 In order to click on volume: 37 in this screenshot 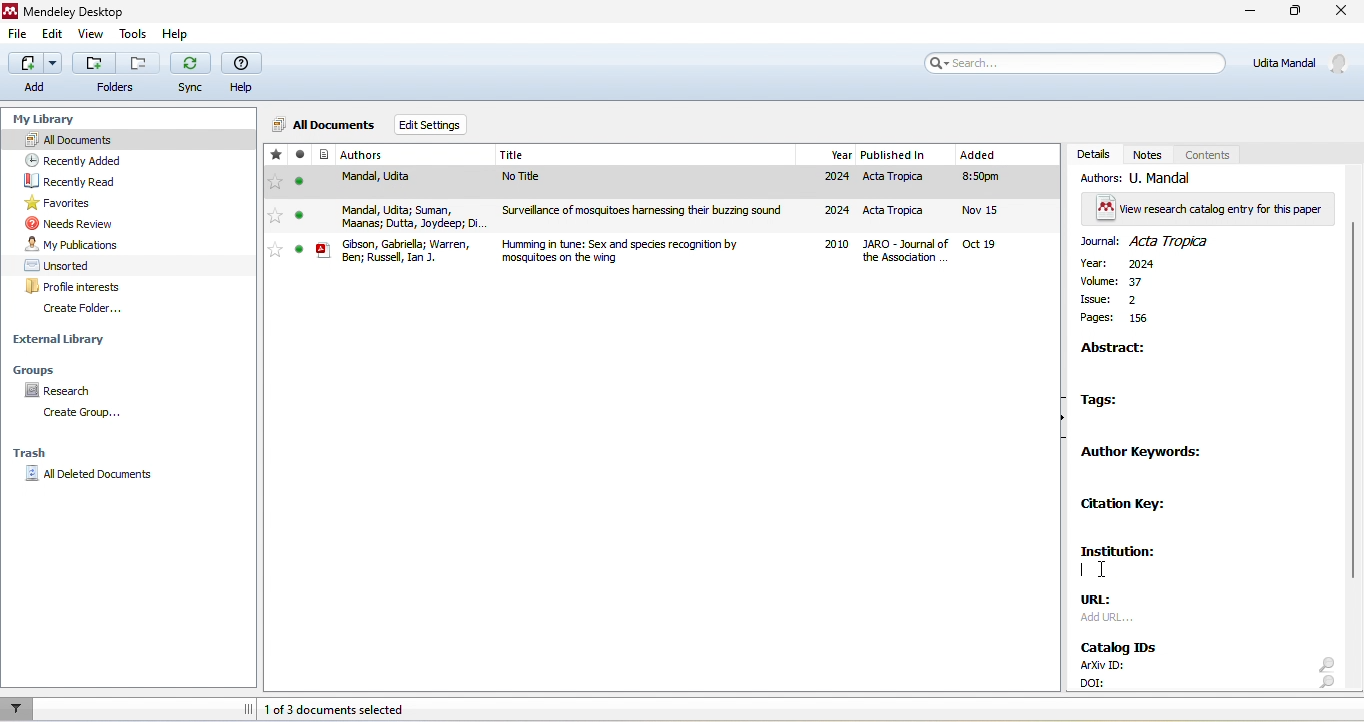, I will do `click(1117, 282)`.